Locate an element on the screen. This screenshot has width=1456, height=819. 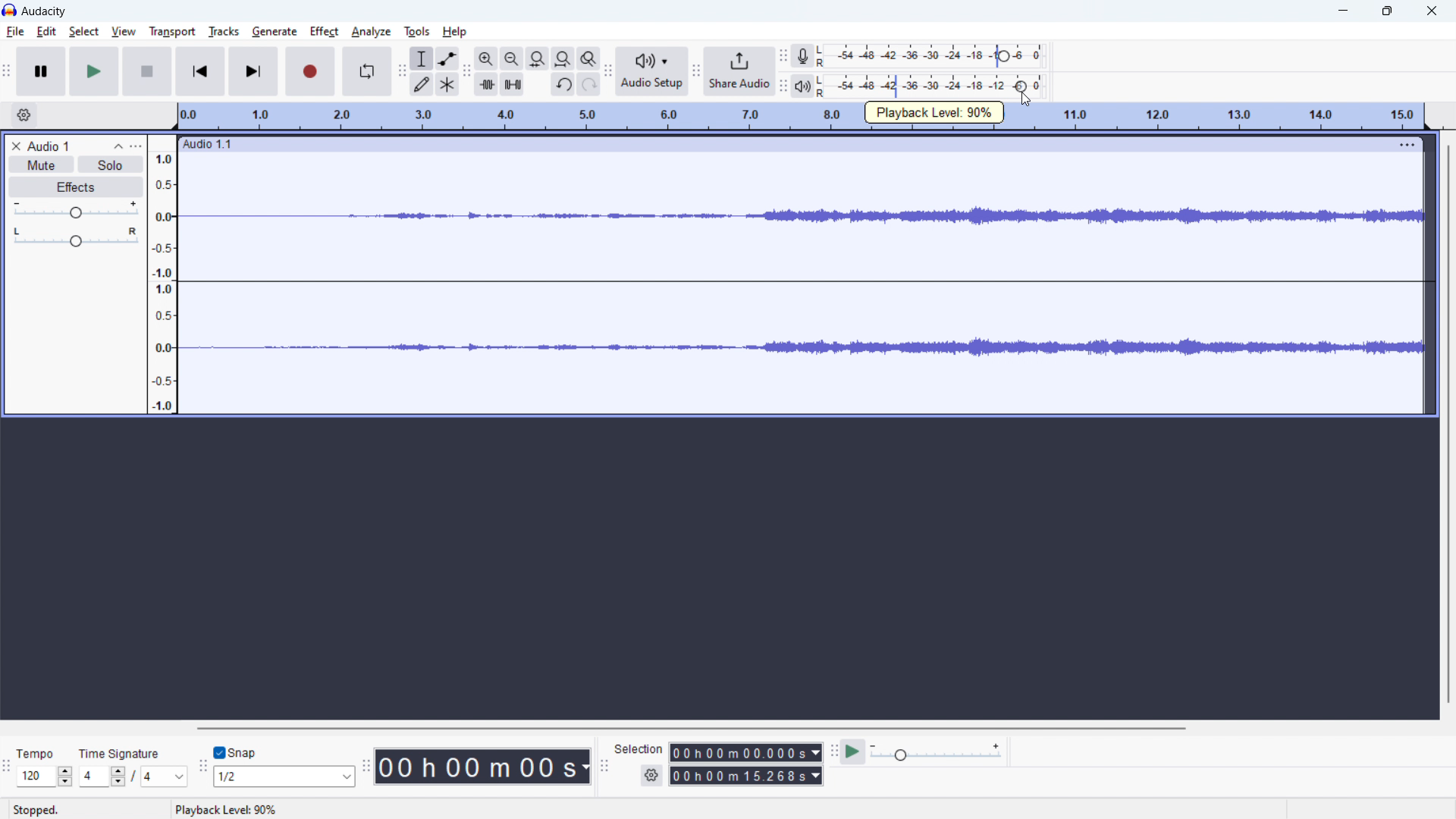
silence selection is located at coordinates (511, 83).